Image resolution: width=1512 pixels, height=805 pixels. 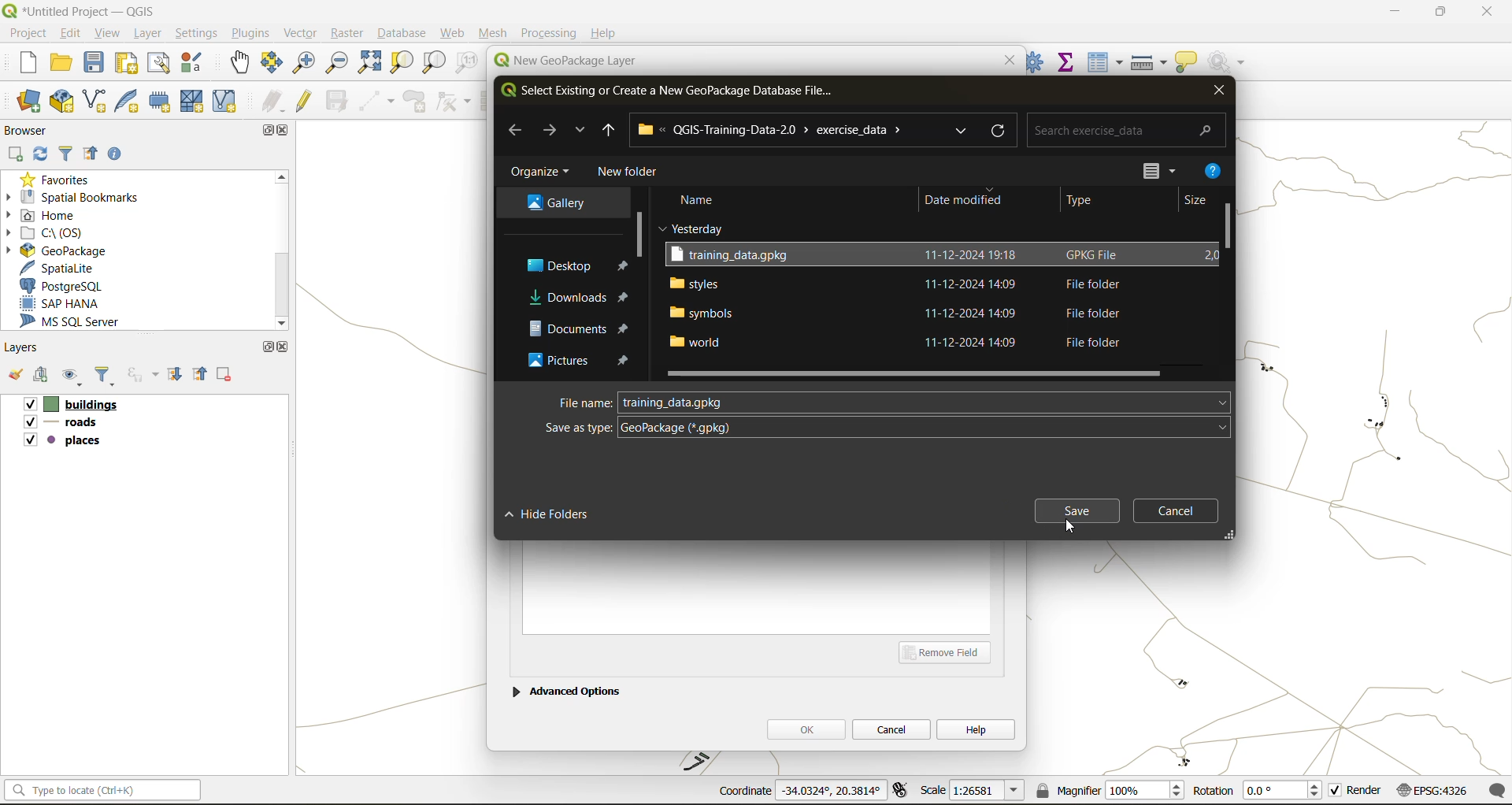 What do you see at coordinates (305, 101) in the screenshot?
I see `toggle edits` at bounding box center [305, 101].